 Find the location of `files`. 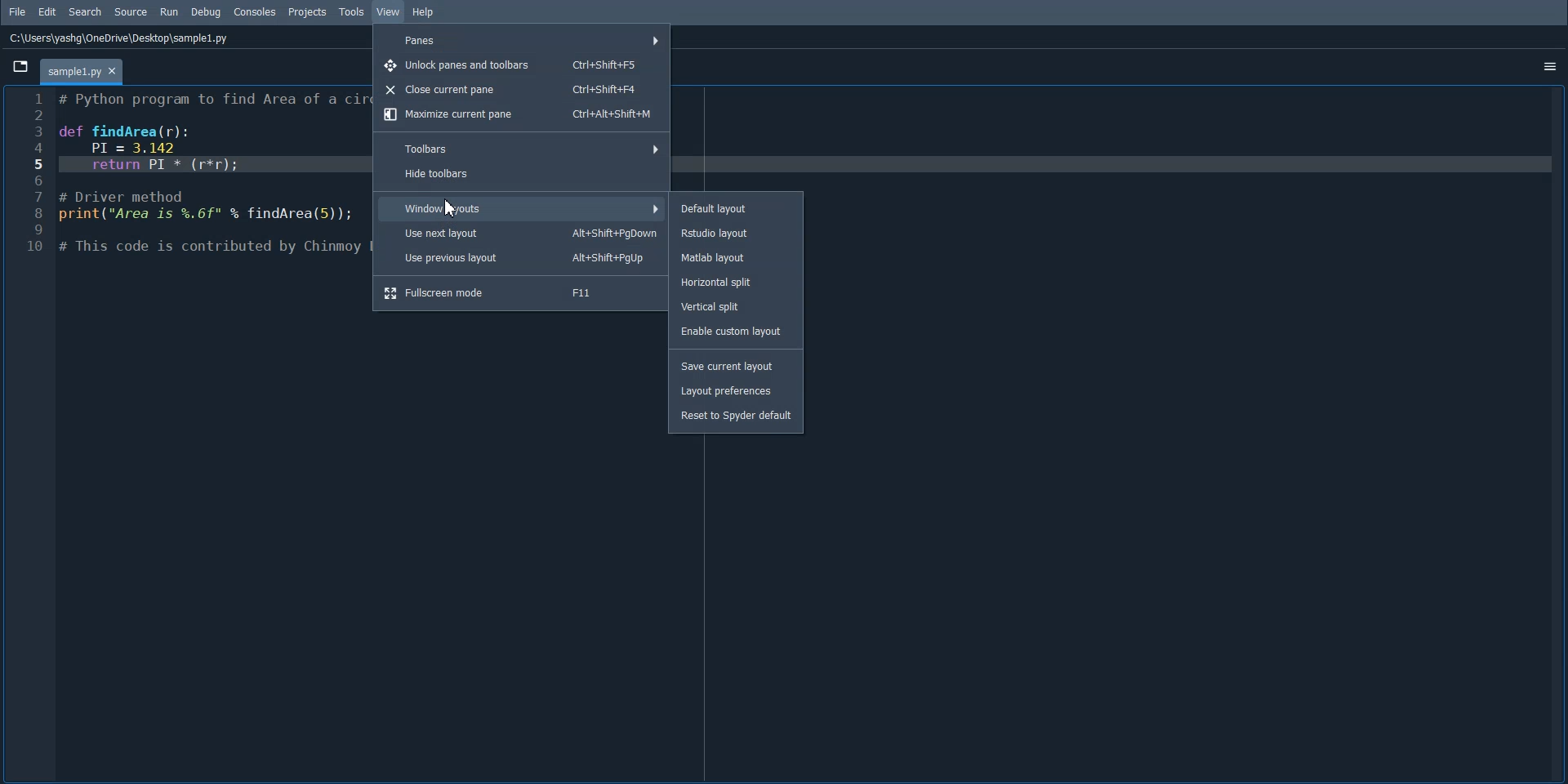

files is located at coordinates (15, 66).